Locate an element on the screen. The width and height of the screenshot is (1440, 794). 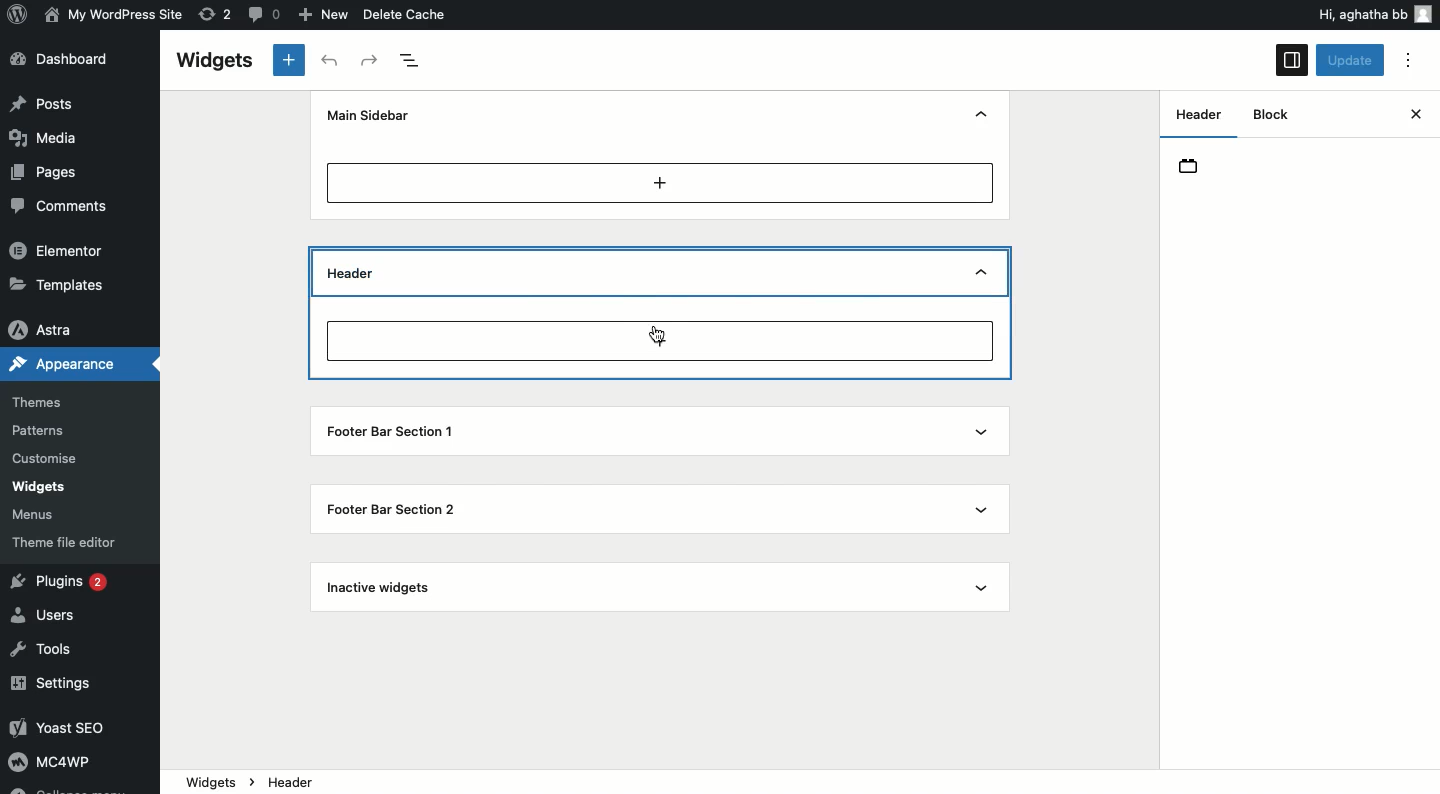
Media is located at coordinates (46, 136).